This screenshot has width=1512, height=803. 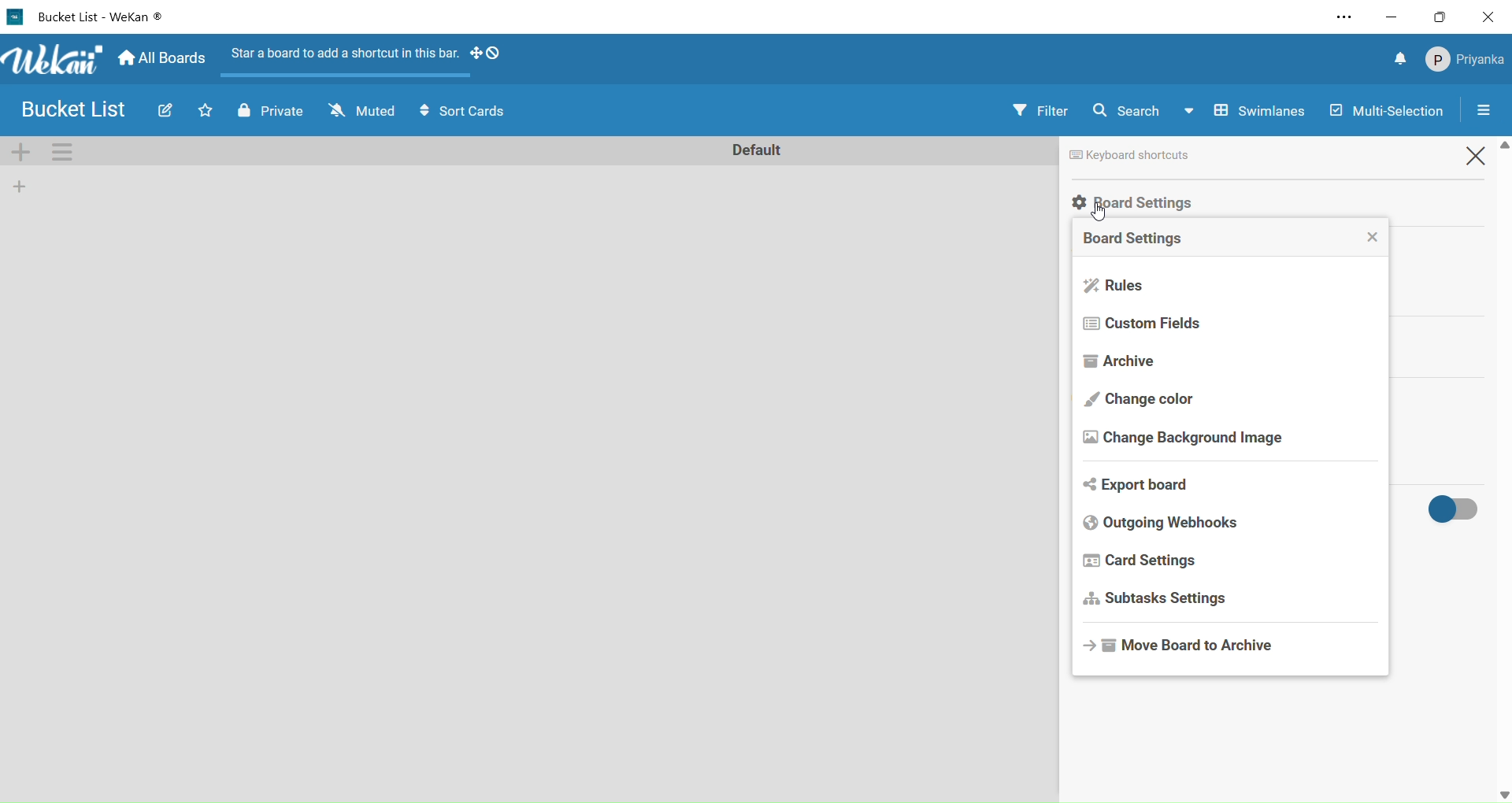 What do you see at coordinates (1038, 111) in the screenshot?
I see `filter` at bounding box center [1038, 111].